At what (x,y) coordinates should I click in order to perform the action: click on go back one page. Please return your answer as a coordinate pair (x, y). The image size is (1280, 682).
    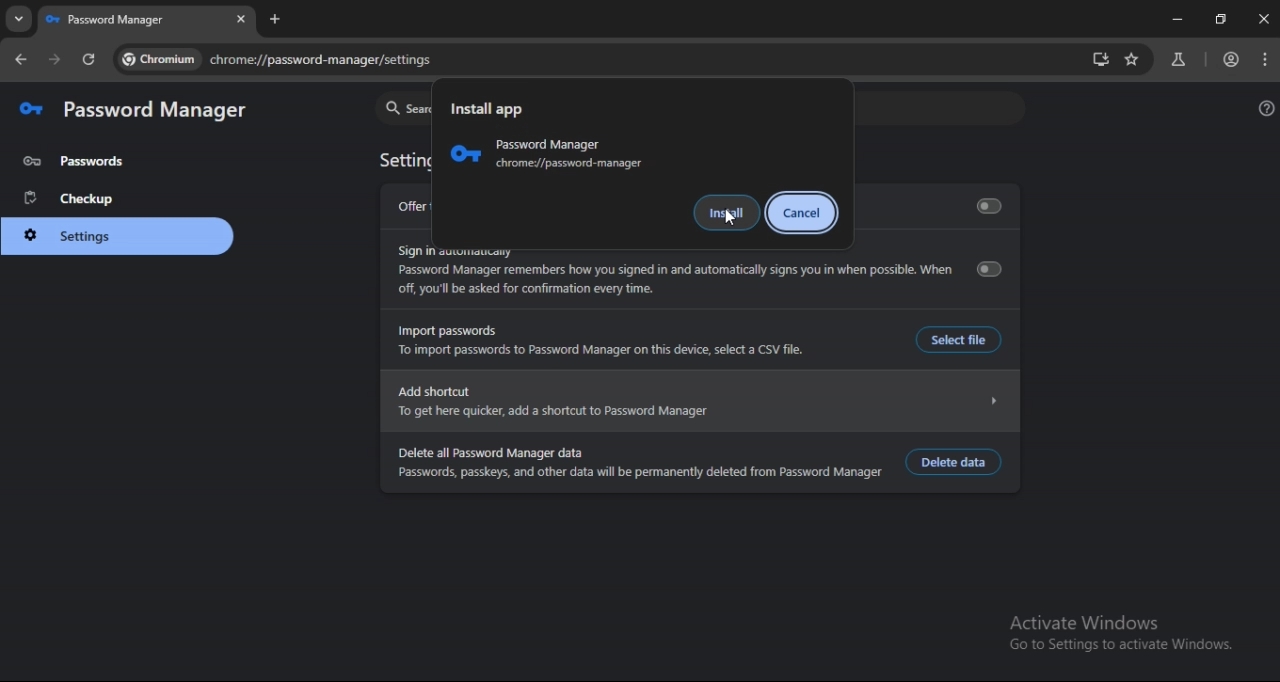
    Looking at the image, I should click on (21, 60).